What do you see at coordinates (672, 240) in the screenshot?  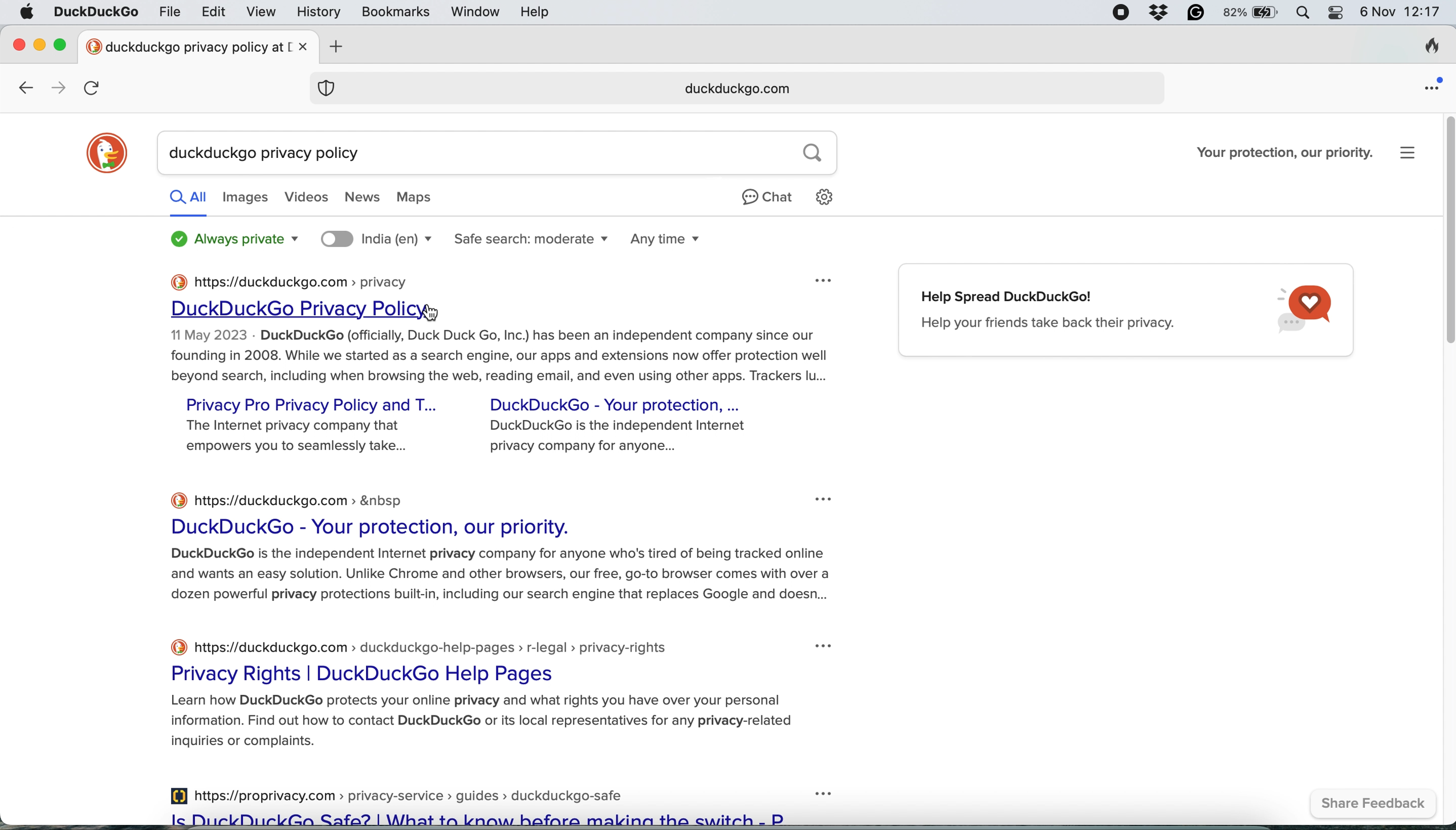 I see `any time` at bounding box center [672, 240].